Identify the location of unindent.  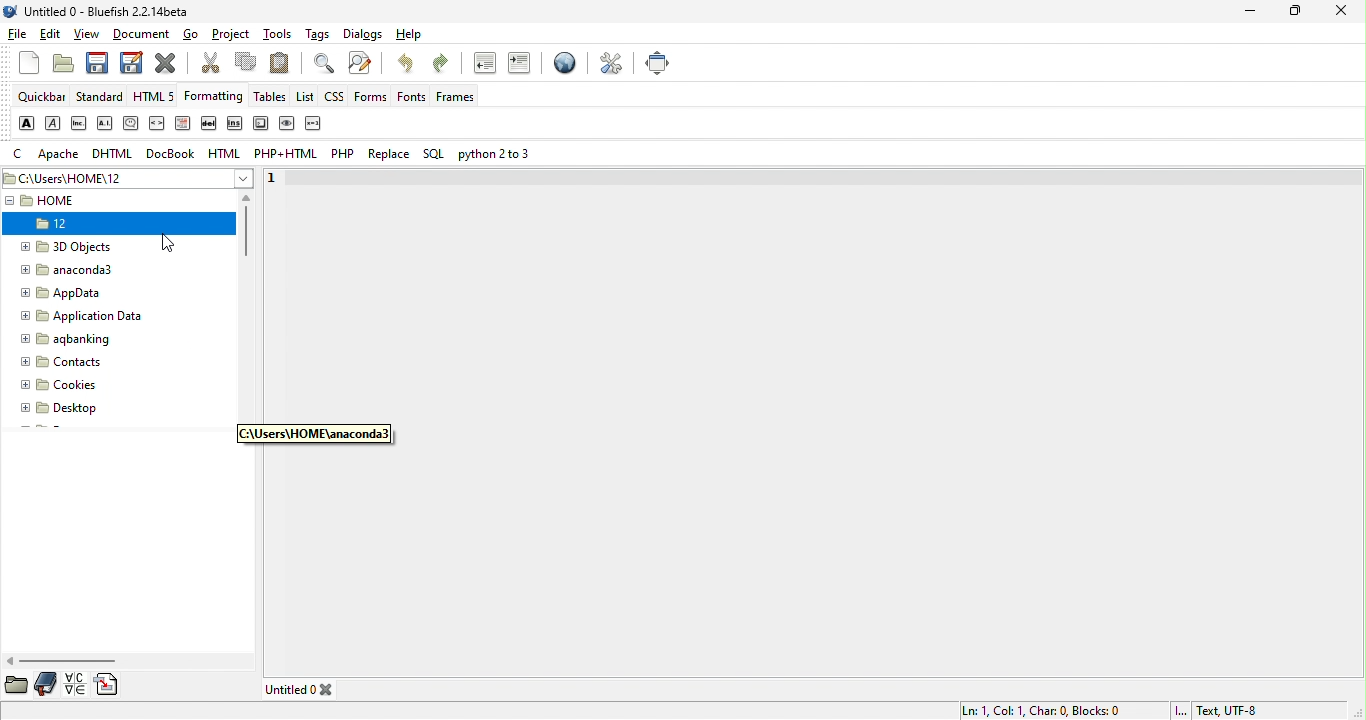
(485, 66).